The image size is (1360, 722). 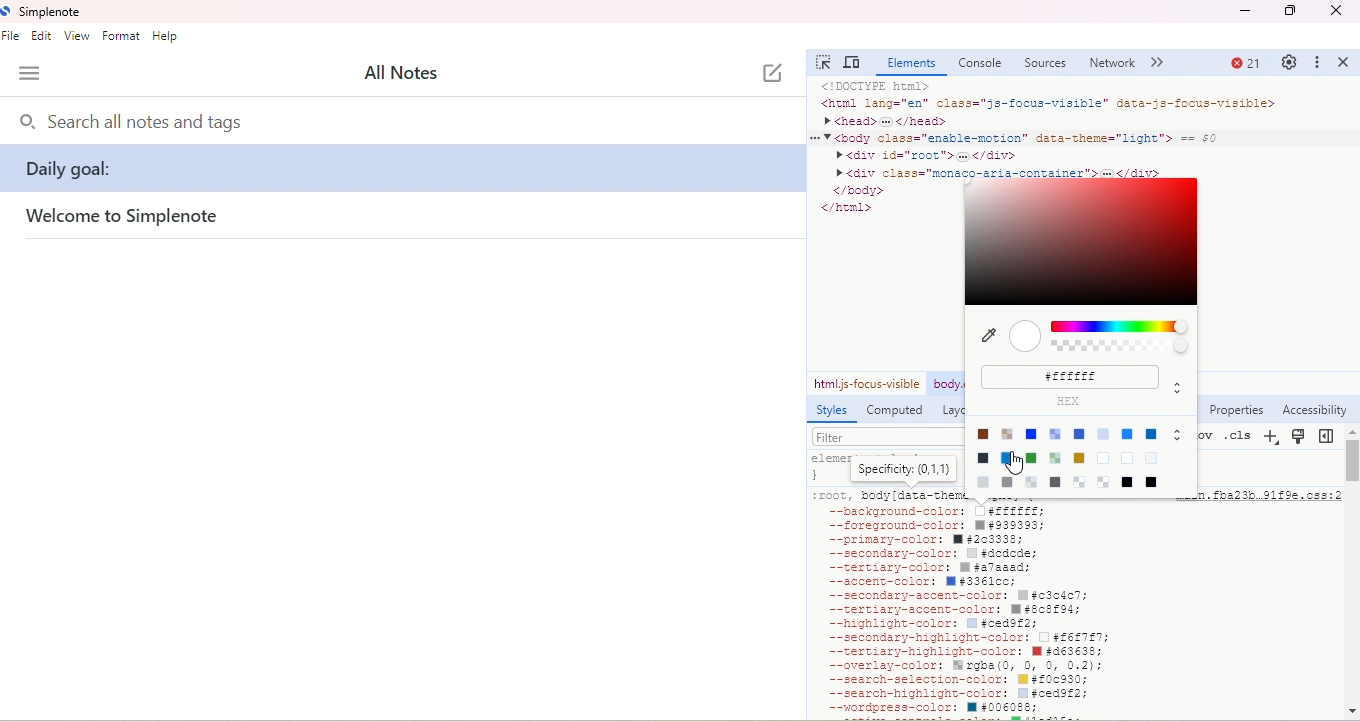 What do you see at coordinates (769, 75) in the screenshot?
I see `new note` at bounding box center [769, 75].